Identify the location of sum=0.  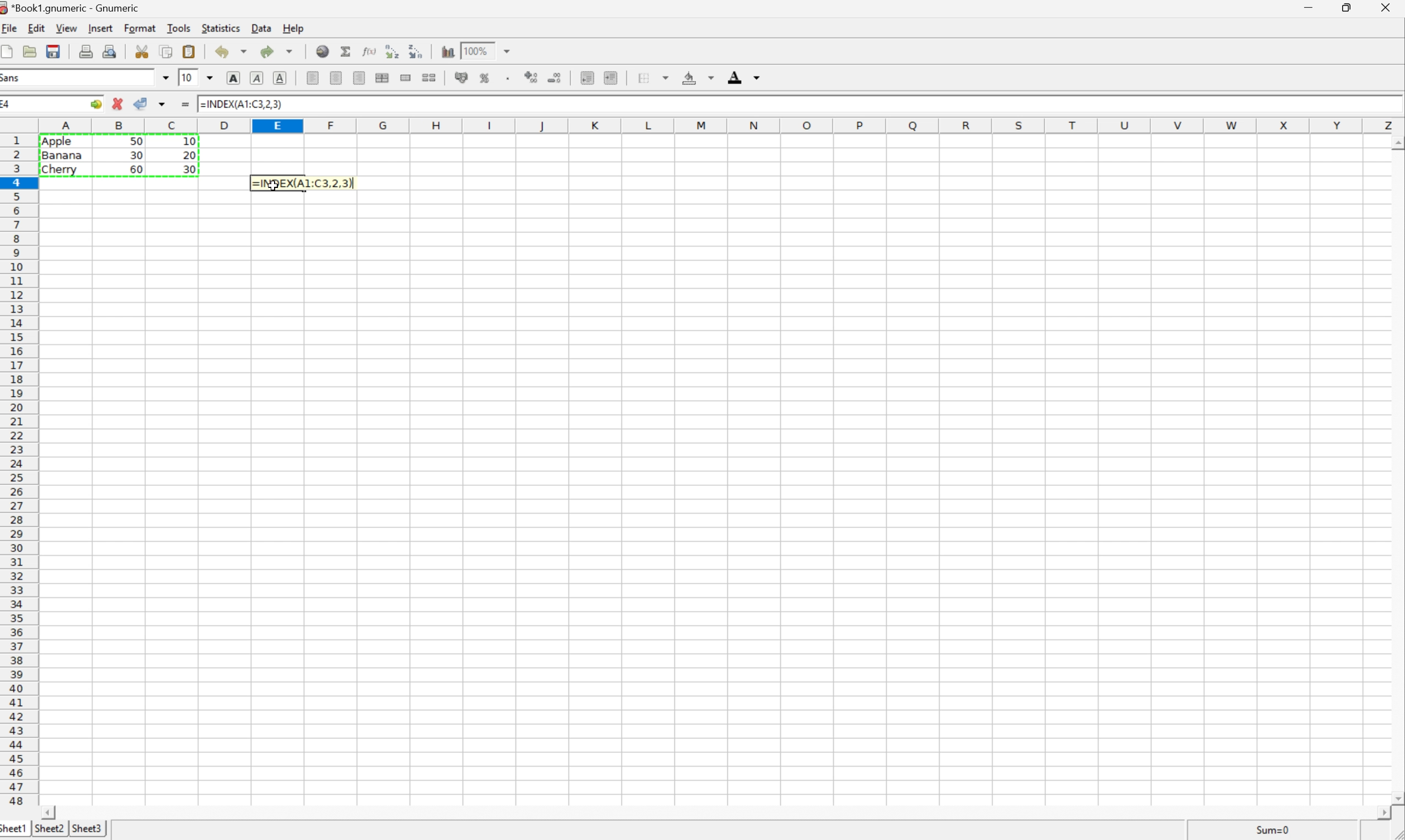
(1272, 829).